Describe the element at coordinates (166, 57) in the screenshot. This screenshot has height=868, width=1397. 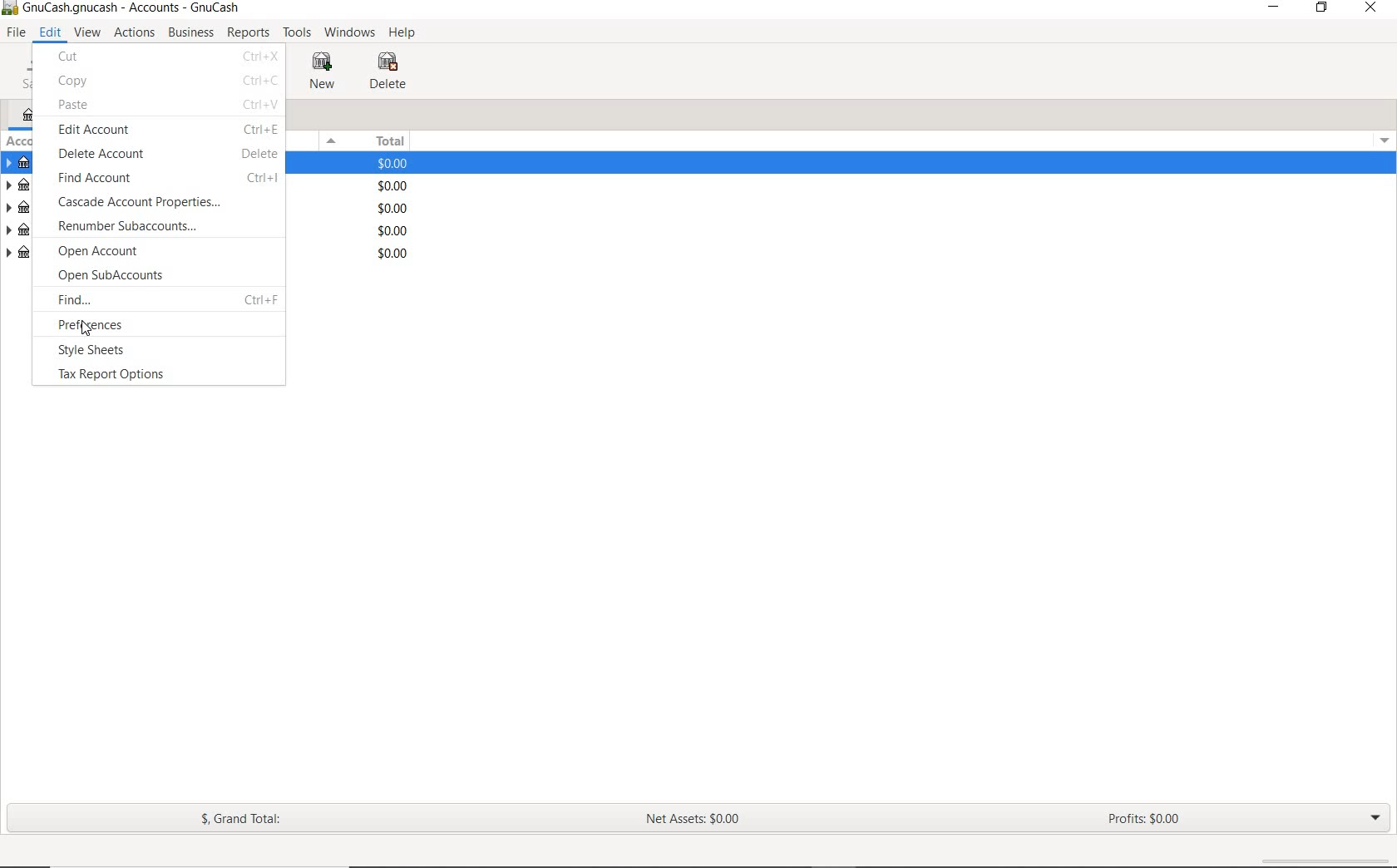
I see `CUT` at that location.